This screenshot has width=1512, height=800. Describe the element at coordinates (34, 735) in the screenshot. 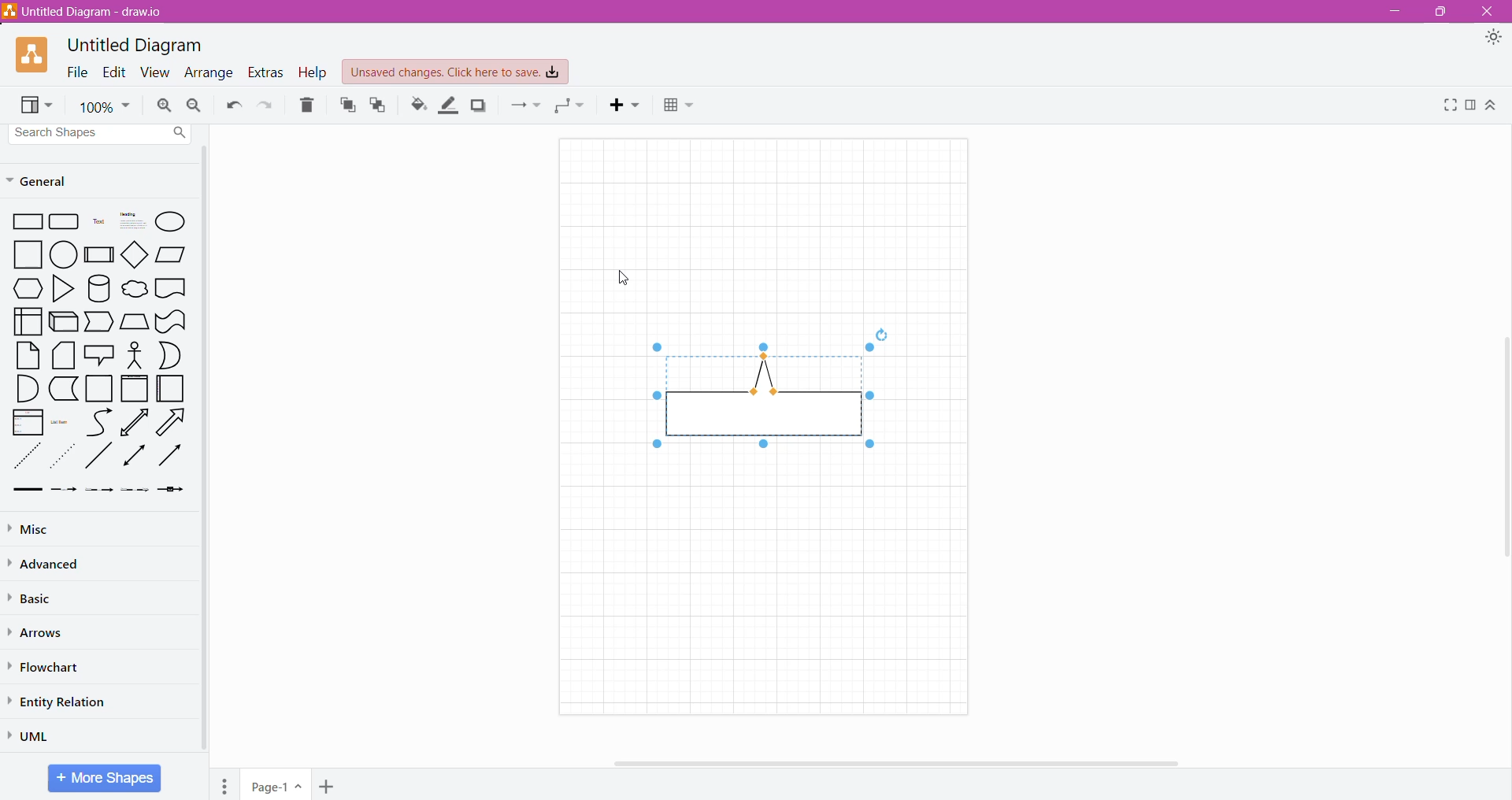

I see `UM` at that location.